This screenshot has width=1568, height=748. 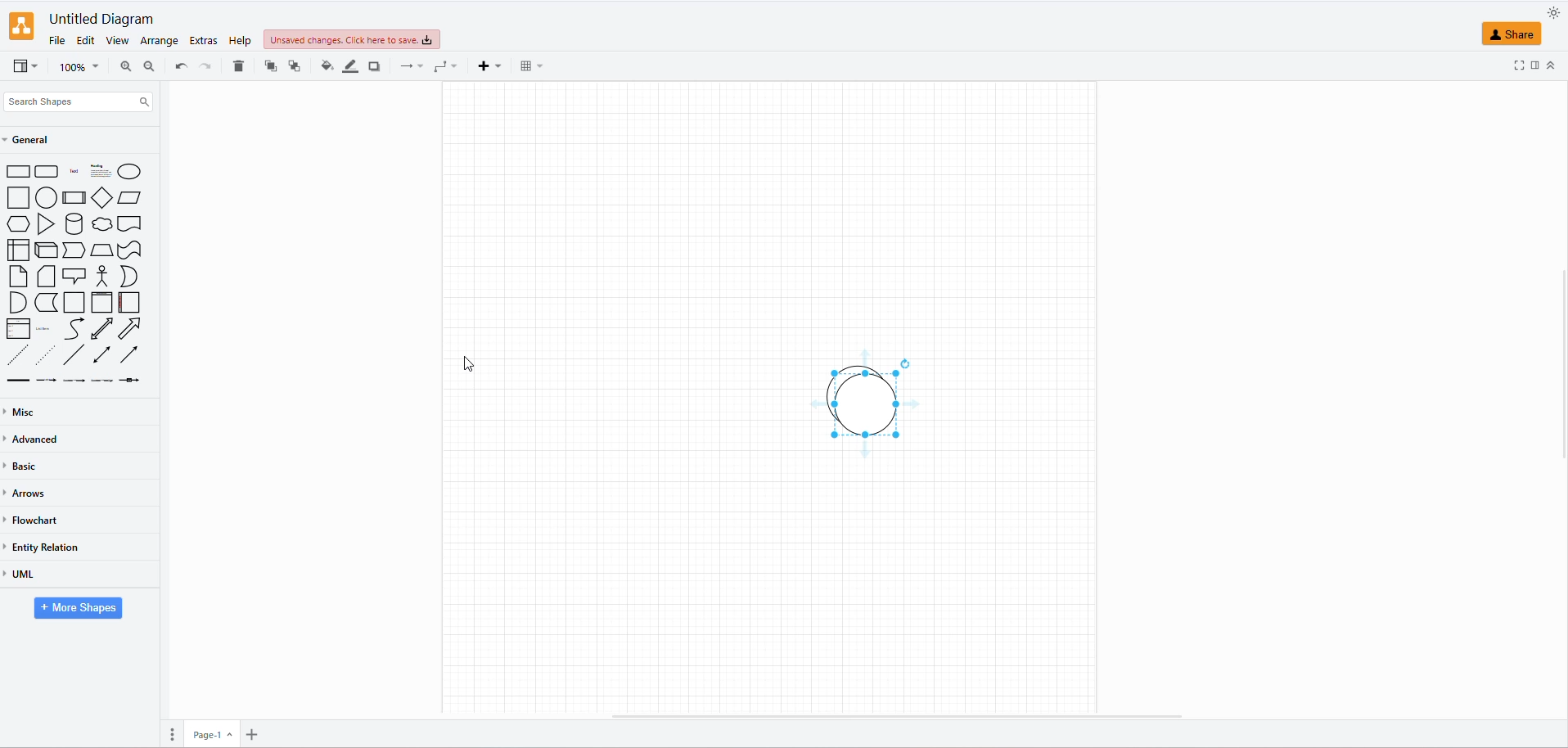 I want to click on PROCESS, so click(x=74, y=198).